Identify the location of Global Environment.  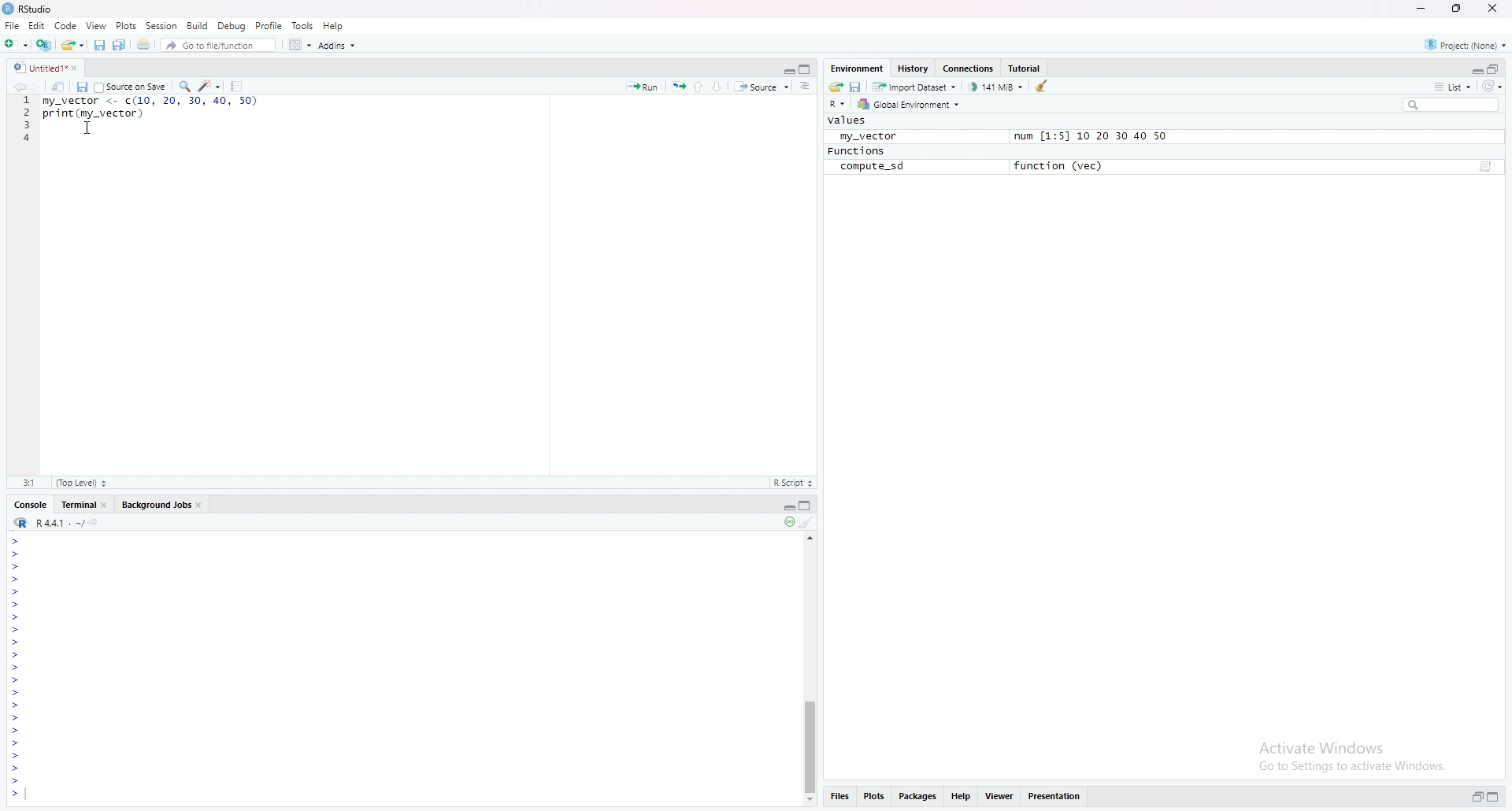
(909, 105).